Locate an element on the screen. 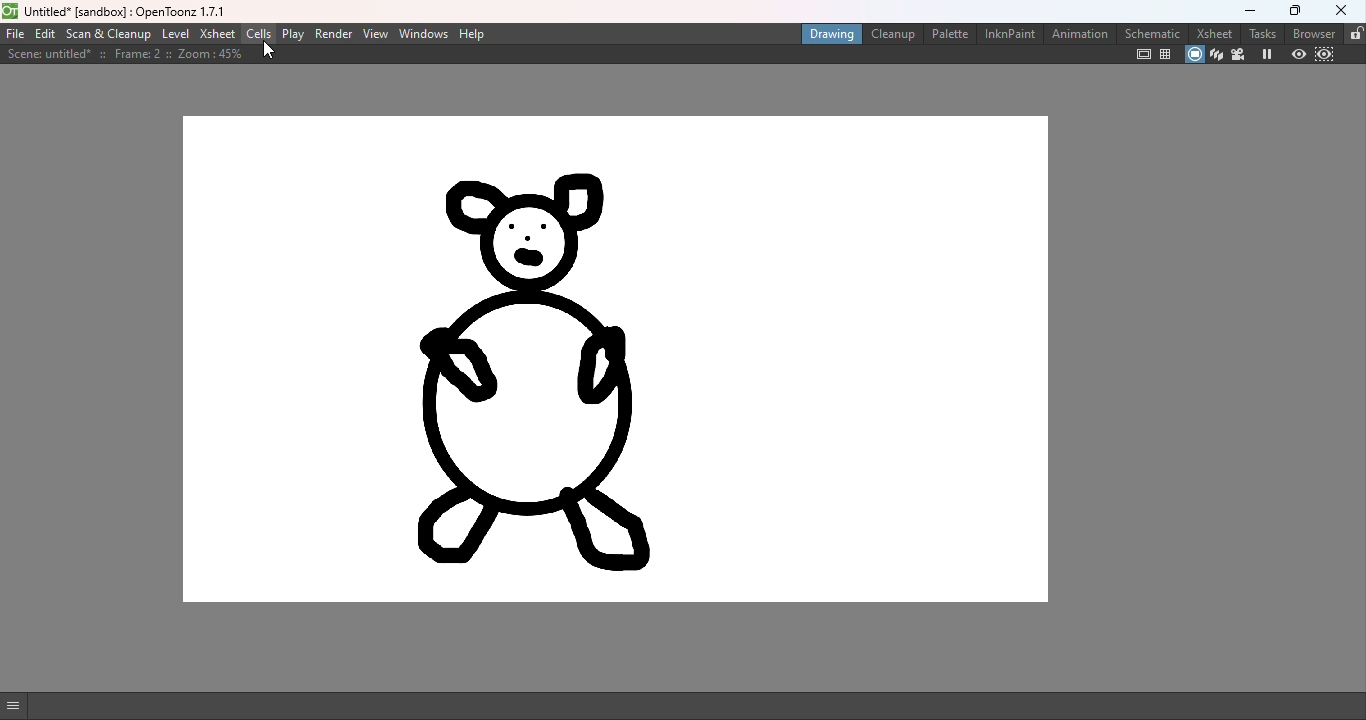 This screenshot has width=1366, height=720. Schematic is located at coordinates (1153, 33).